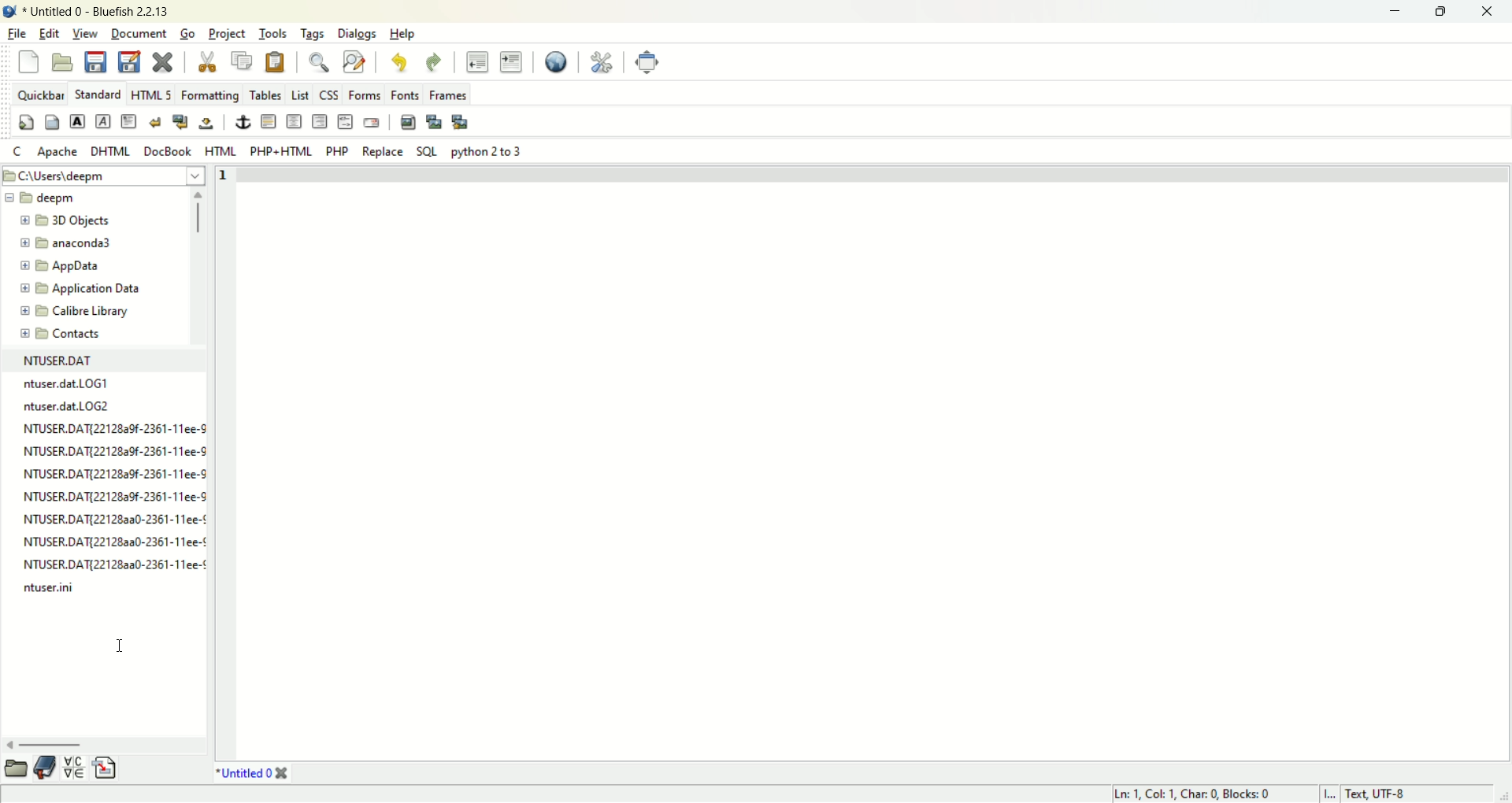  Describe the element at coordinates (94, 10) in the screenshot. I see `document name` at that location.